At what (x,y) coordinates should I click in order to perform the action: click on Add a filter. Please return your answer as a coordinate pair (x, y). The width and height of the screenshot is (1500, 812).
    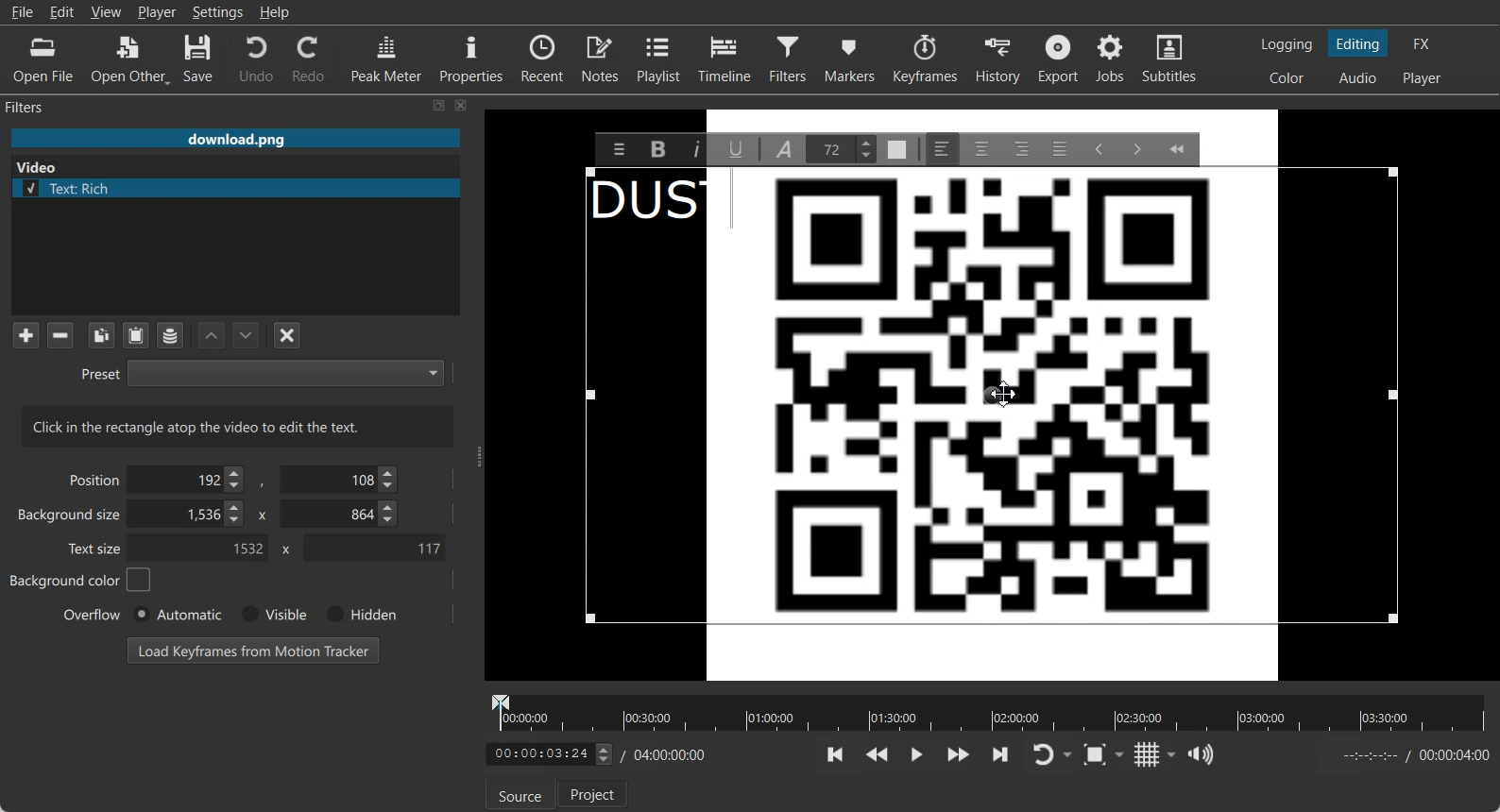
    Looking at the image, I should click on (26, 334).